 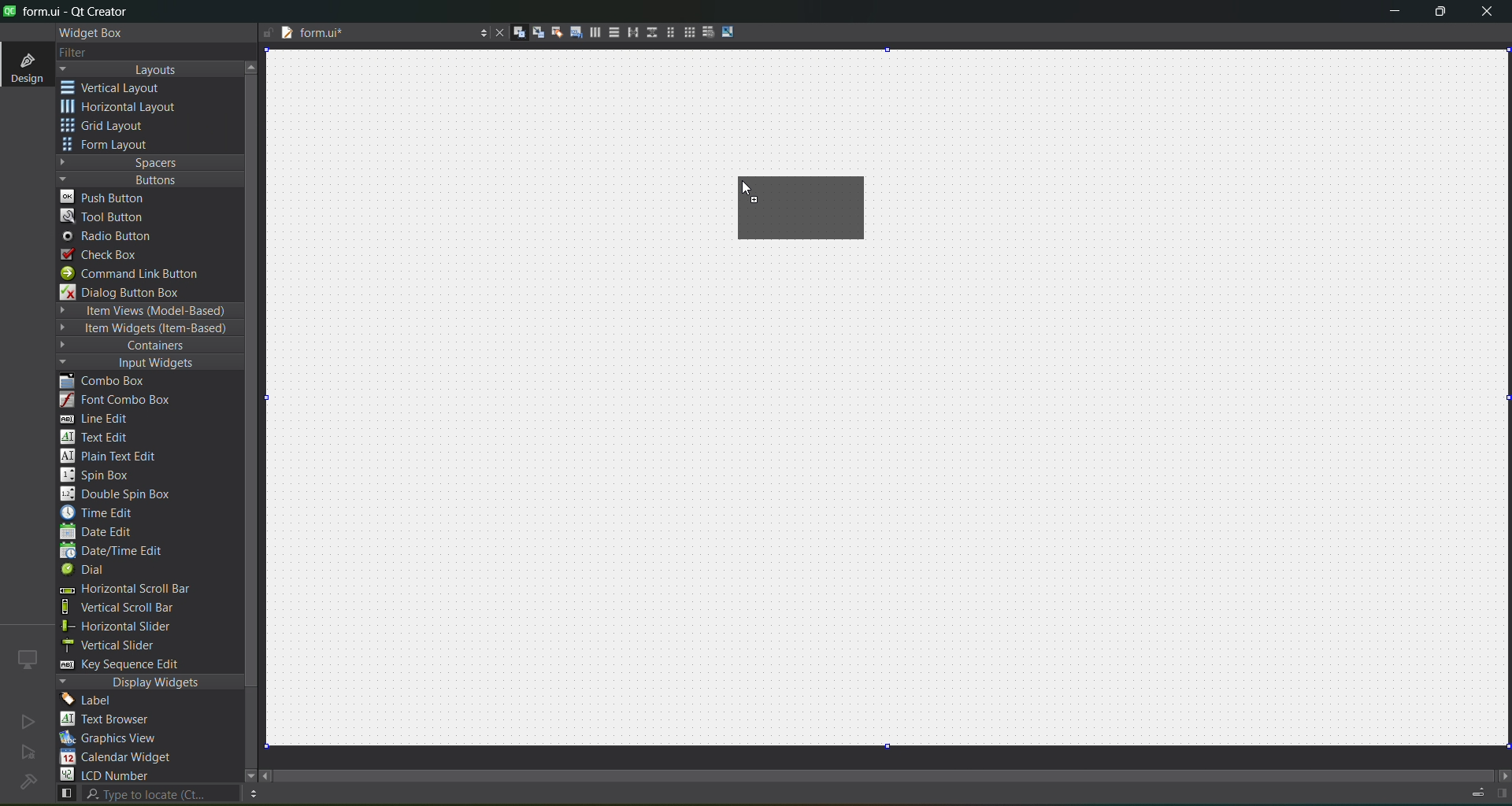 What do you see at coordinates (684, 32) in the screenshot?
I see `layout in a grid` at bounding box center [684, 32].